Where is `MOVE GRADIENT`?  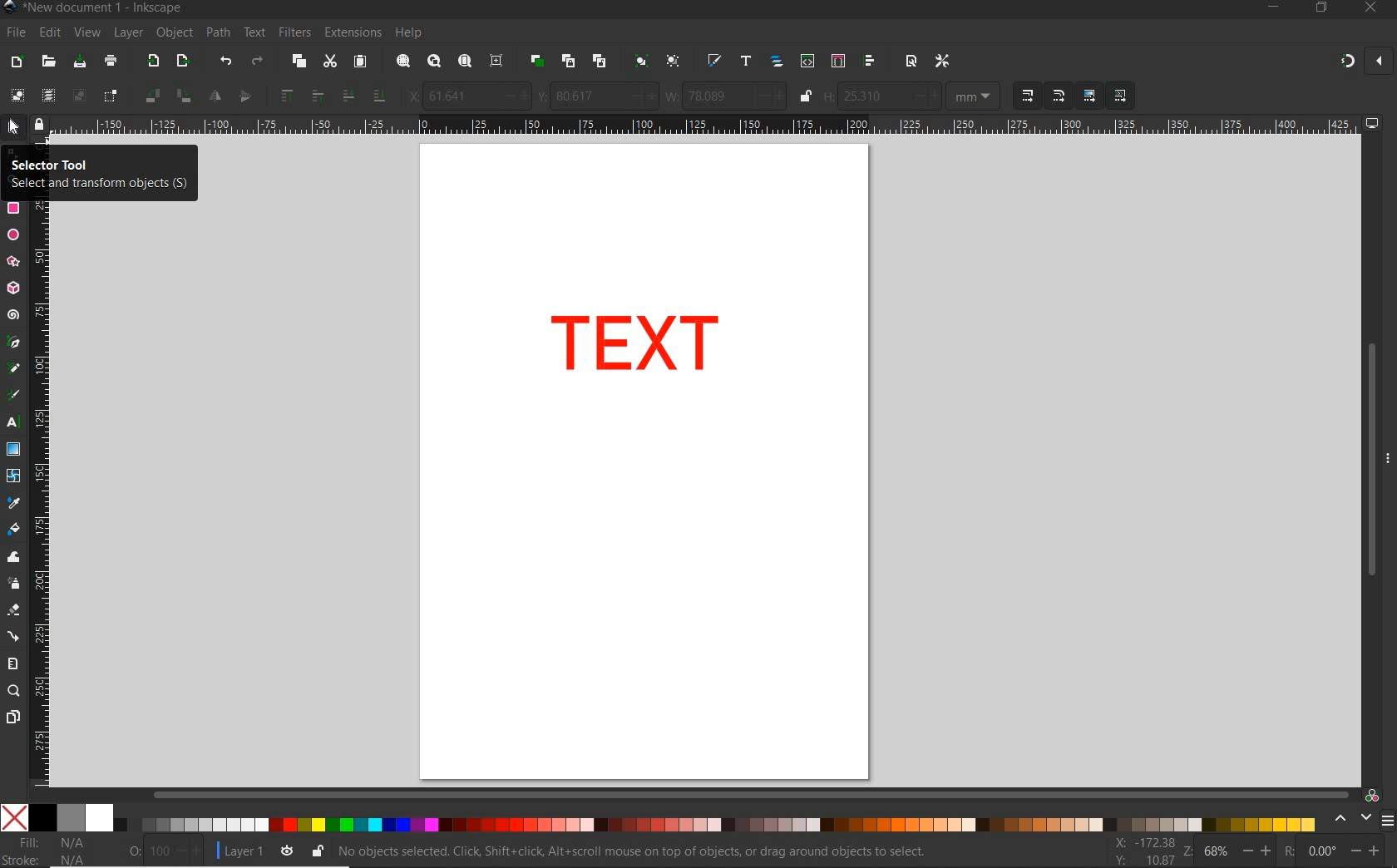 MOVE GRADIENT is located at coordinates (1090, 96).